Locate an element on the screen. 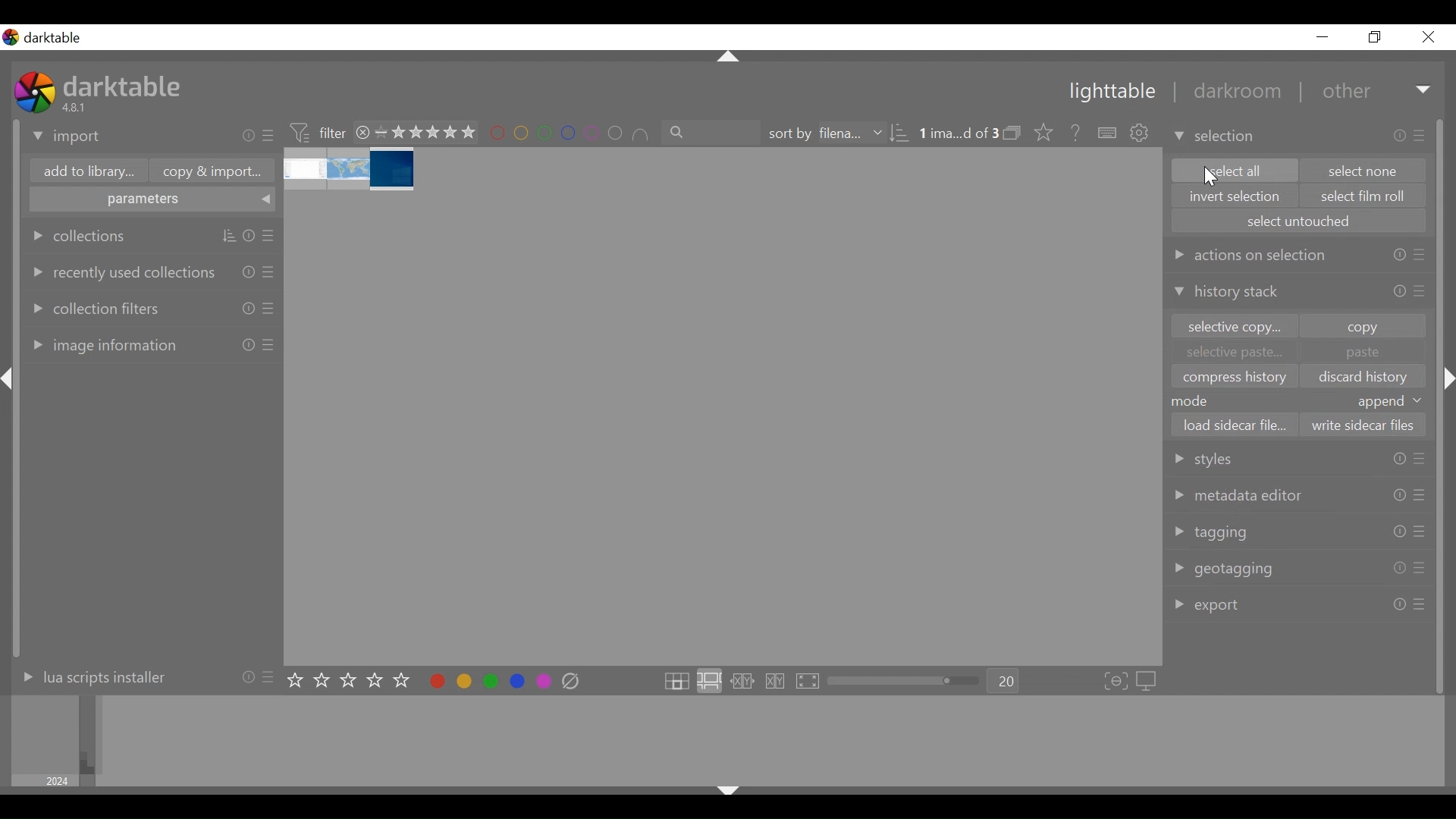 The height and width of the screenshot is (819, 1456). click to enter full preview layout is located at coordinates (809, 682).